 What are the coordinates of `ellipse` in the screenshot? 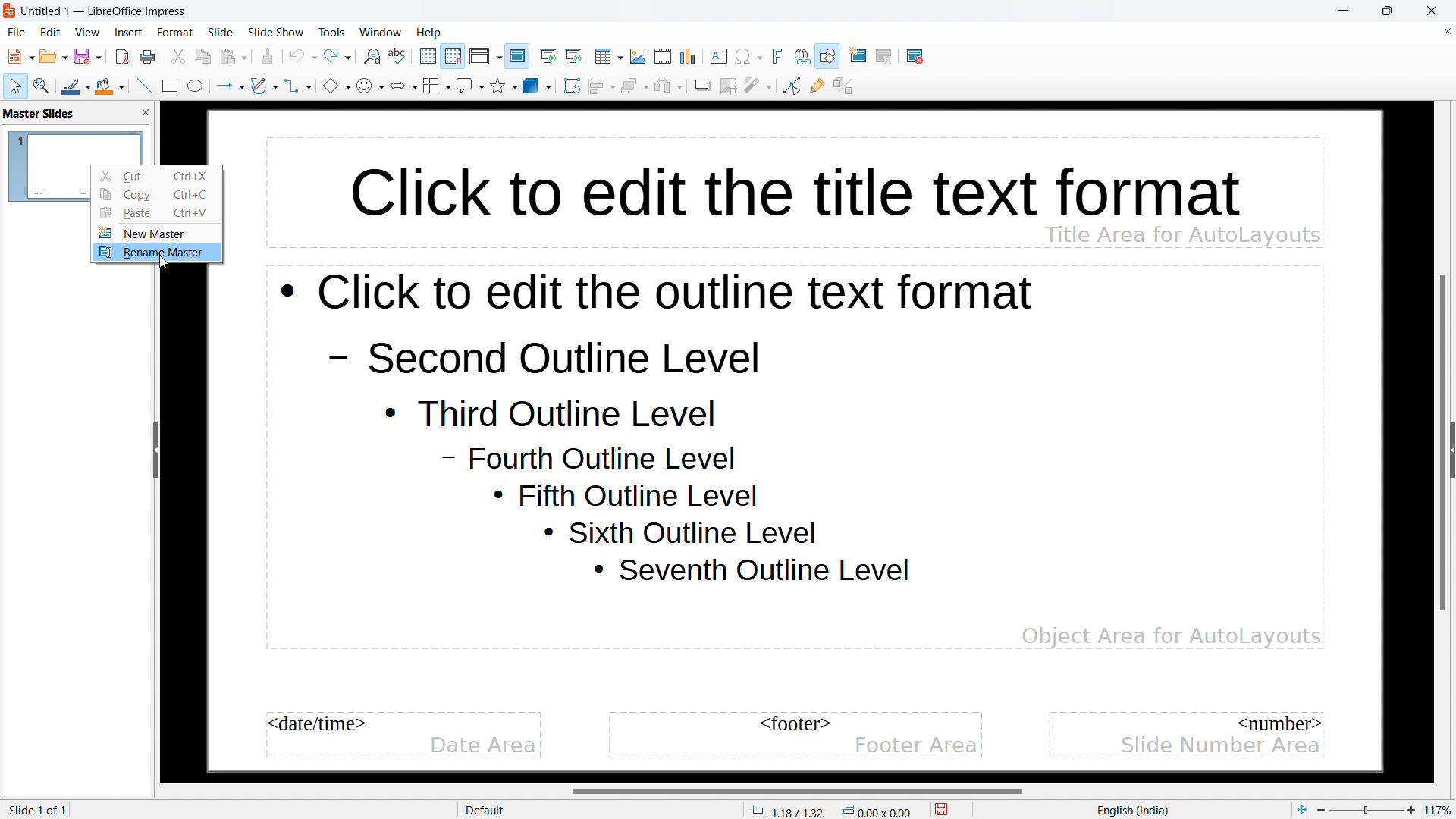 It's located at (196, 85).